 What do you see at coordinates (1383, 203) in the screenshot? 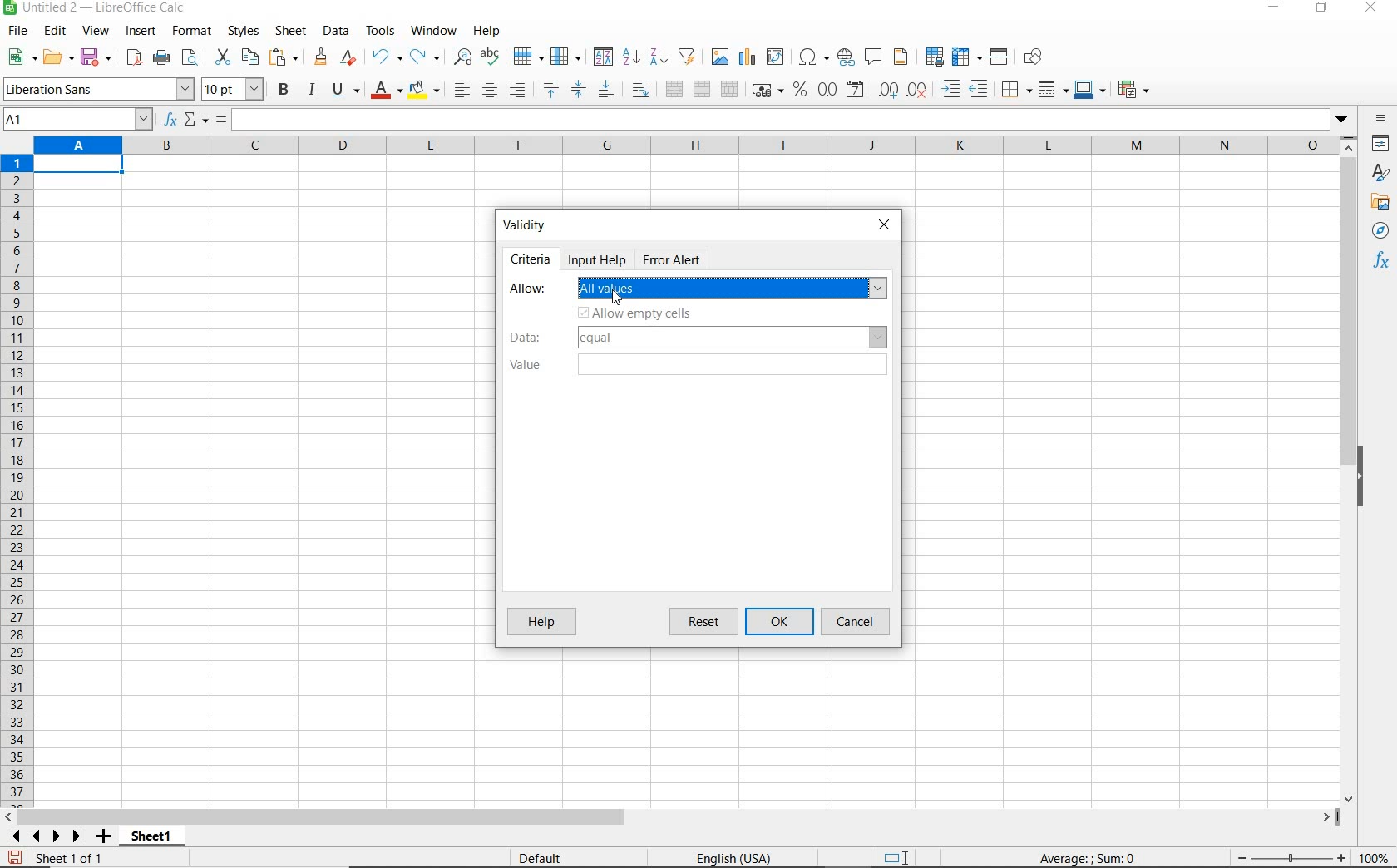
I see `gallery` at bounding box center [1383, 203].